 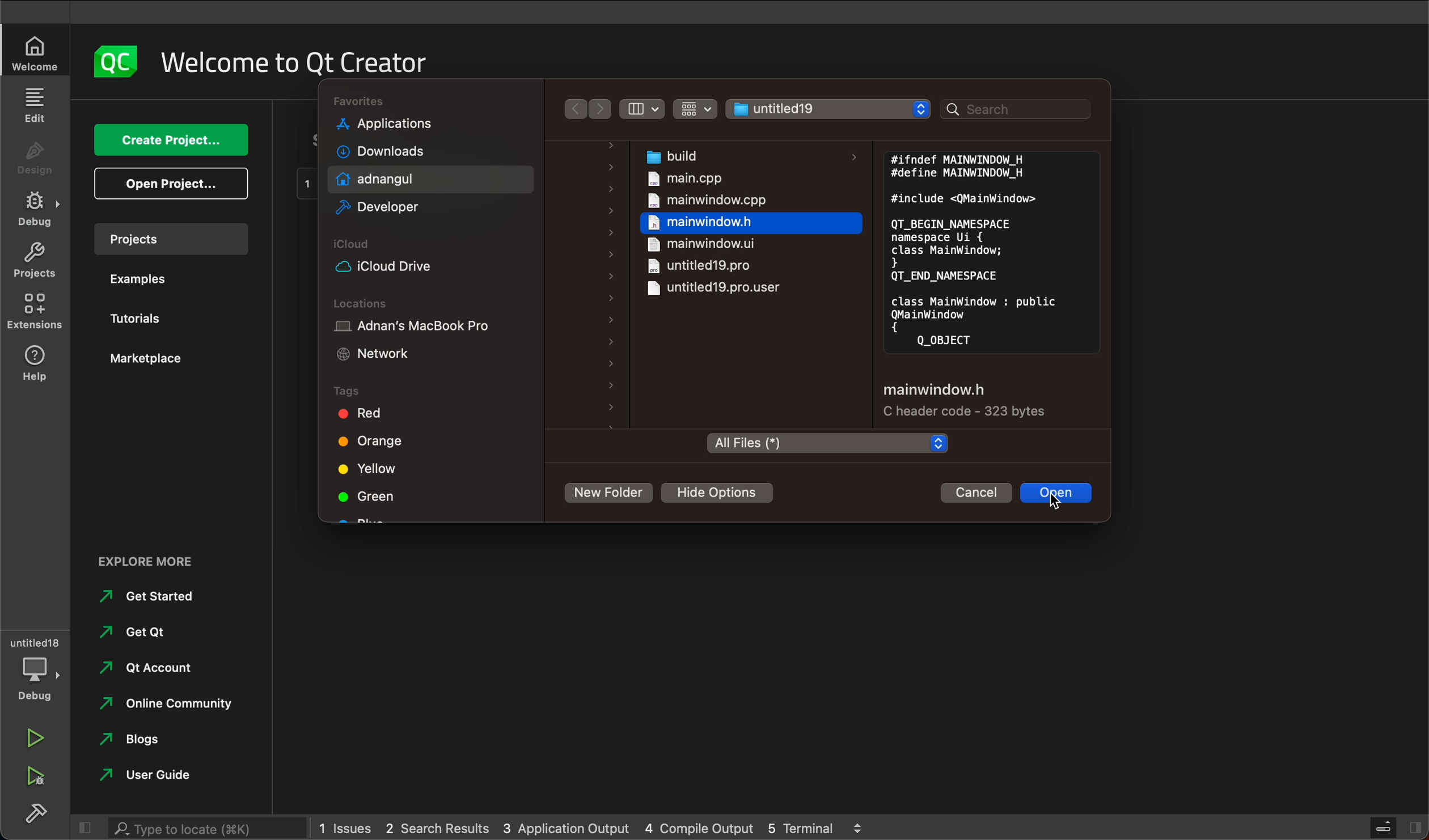 What do you see at coordinates (162, 185) in the screenshot?
I see `open` at bounding box center [162, 185].